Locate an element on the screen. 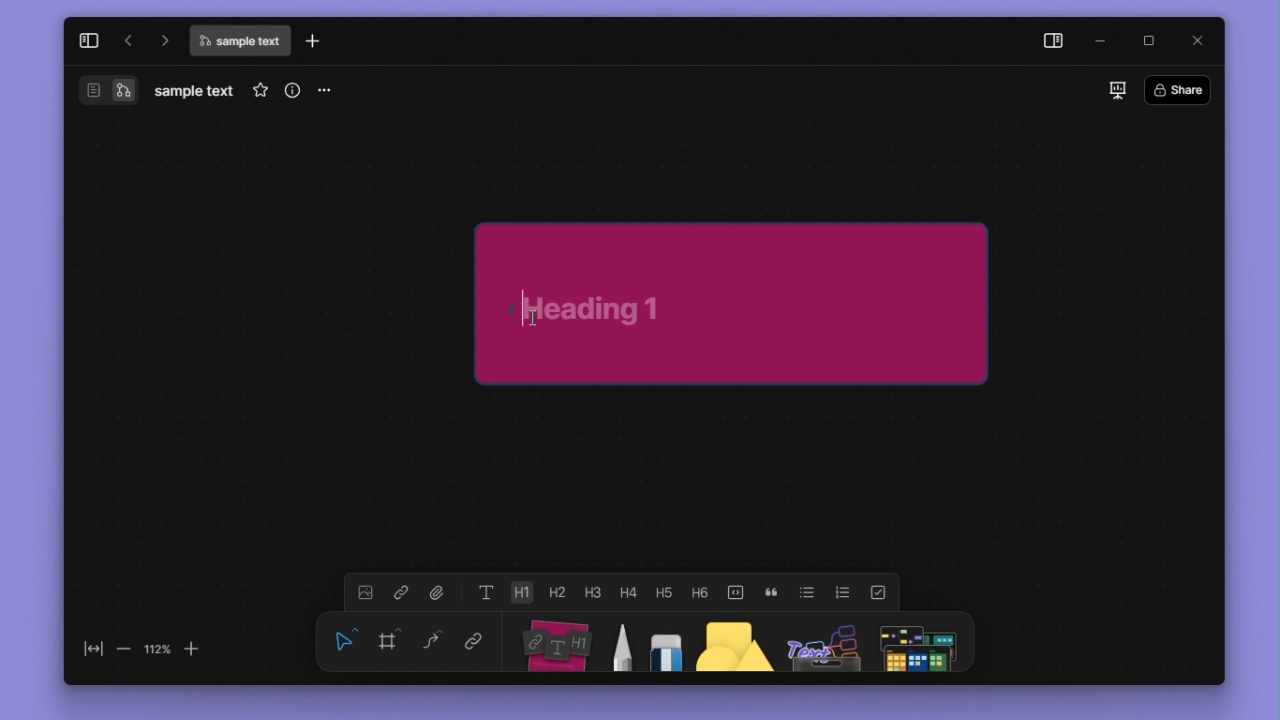 The image size is (1280, 720). go forward is located at coordinates (163, 40).